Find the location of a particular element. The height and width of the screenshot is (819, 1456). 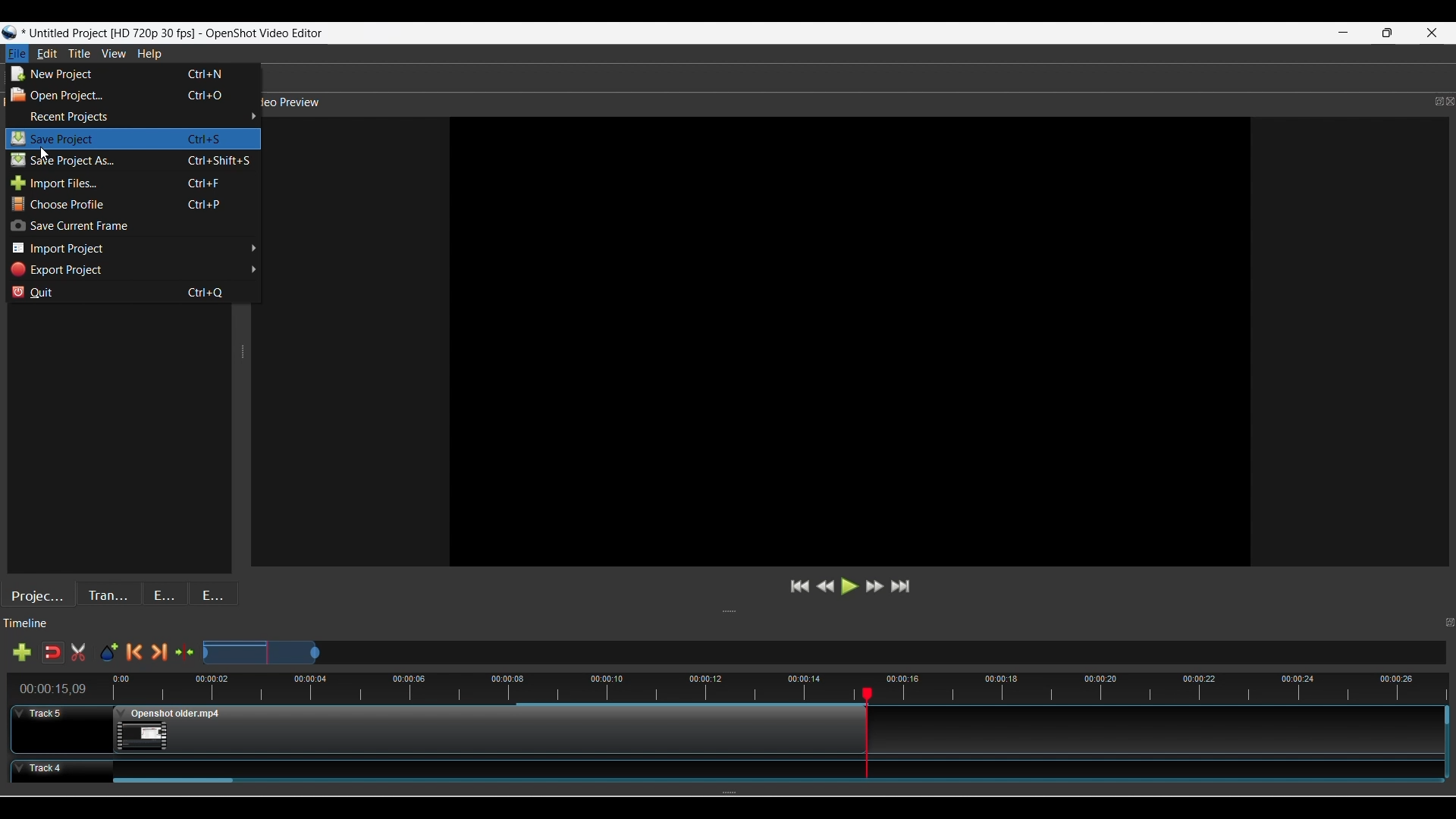

Track Header for track 4 is located at coordinates (55, 771).